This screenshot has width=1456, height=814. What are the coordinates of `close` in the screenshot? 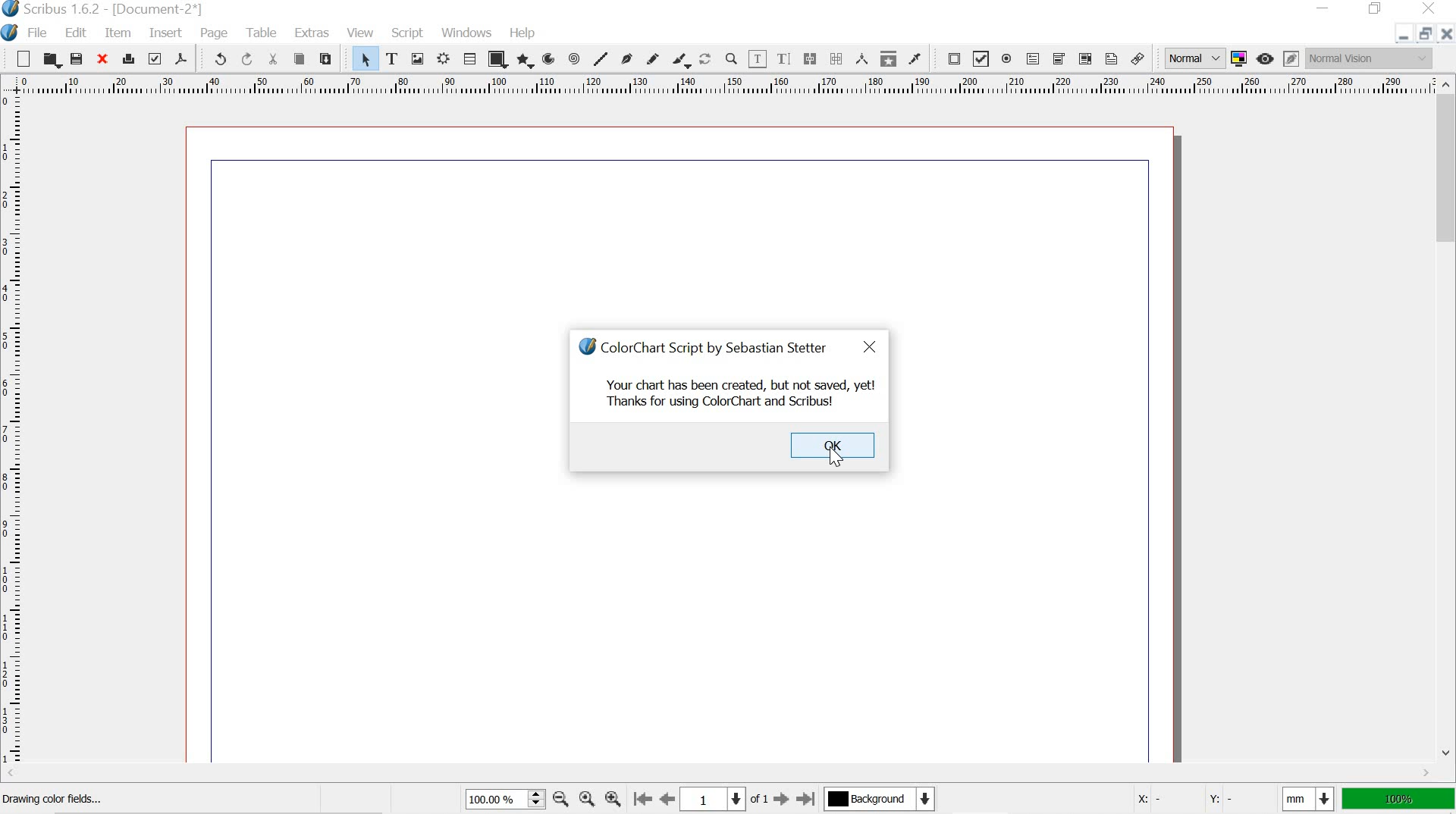 It's located at (1426, 8).